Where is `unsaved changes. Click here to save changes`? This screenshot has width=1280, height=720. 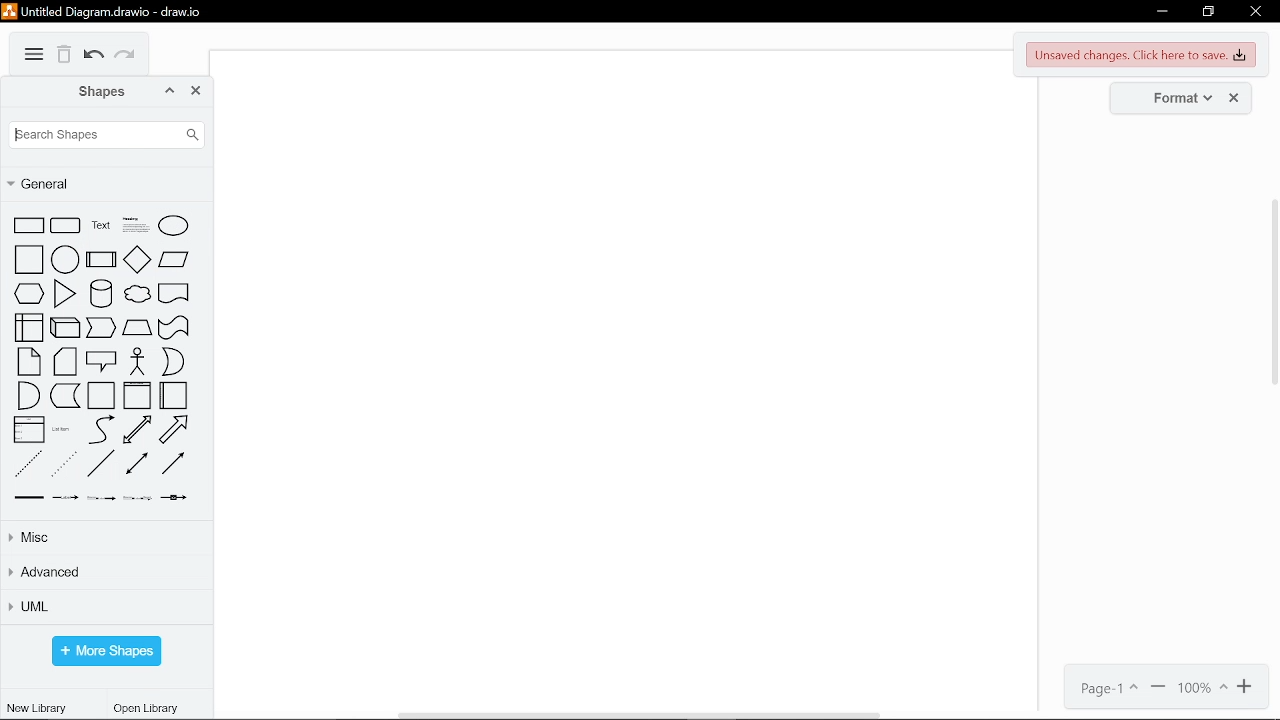
unsaved changes. Click here to save changes is located at coordinates (1143, 55).